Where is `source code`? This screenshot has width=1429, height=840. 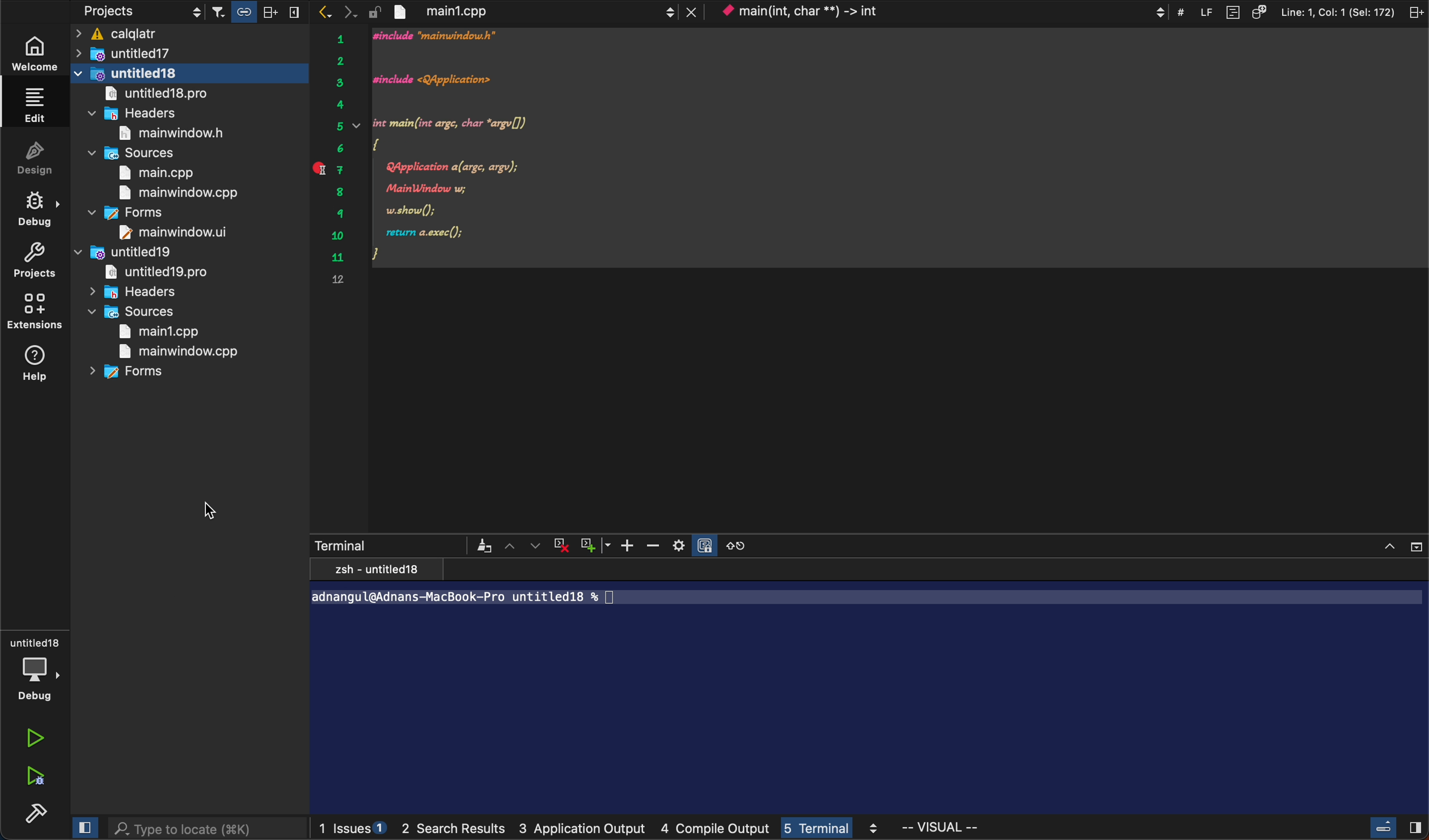
source code is located at coordinates (1259, 11).